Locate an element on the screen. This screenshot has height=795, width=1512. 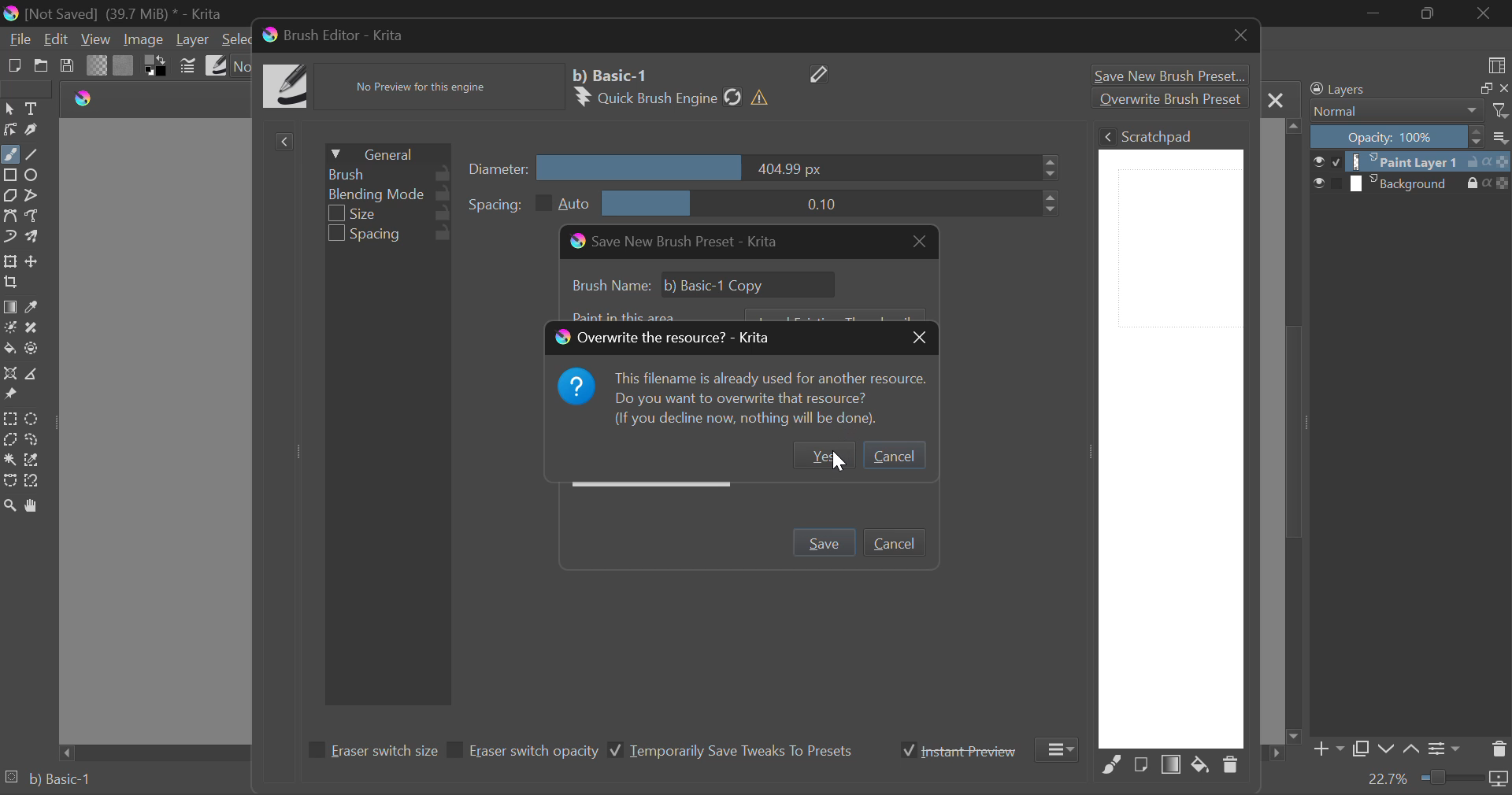
Restore Down is located at coordinates (1374, 15).